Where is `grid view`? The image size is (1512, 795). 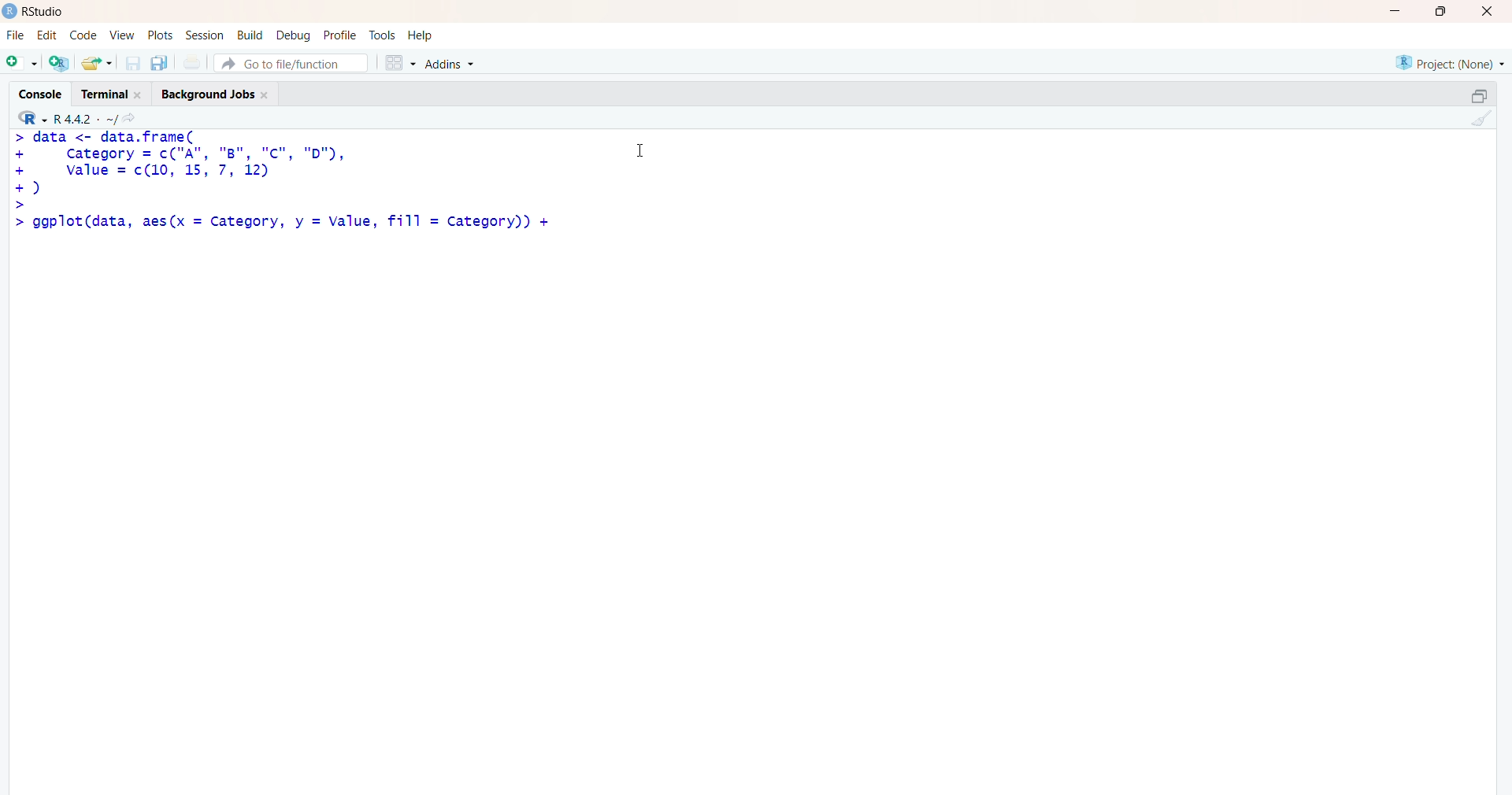 grid view is located at coordinates (399, 62).